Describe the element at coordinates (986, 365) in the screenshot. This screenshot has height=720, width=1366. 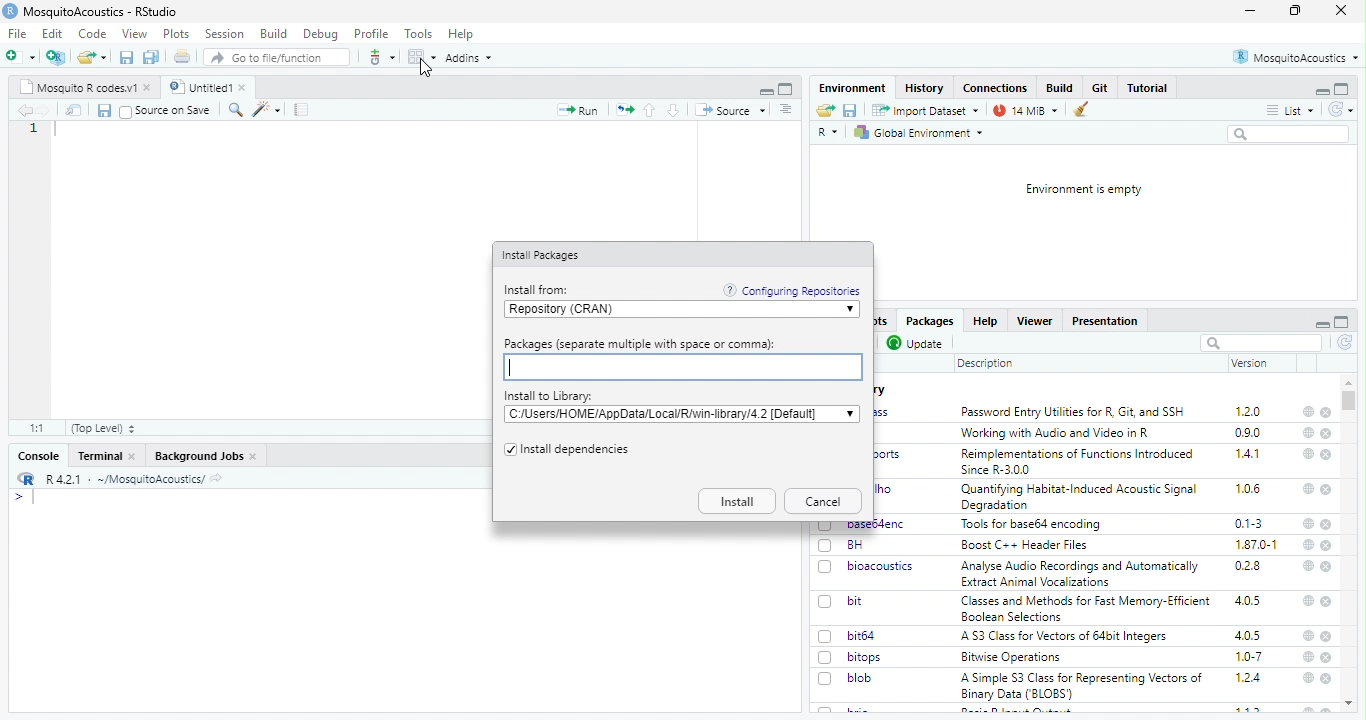
I see `Description` at that location.